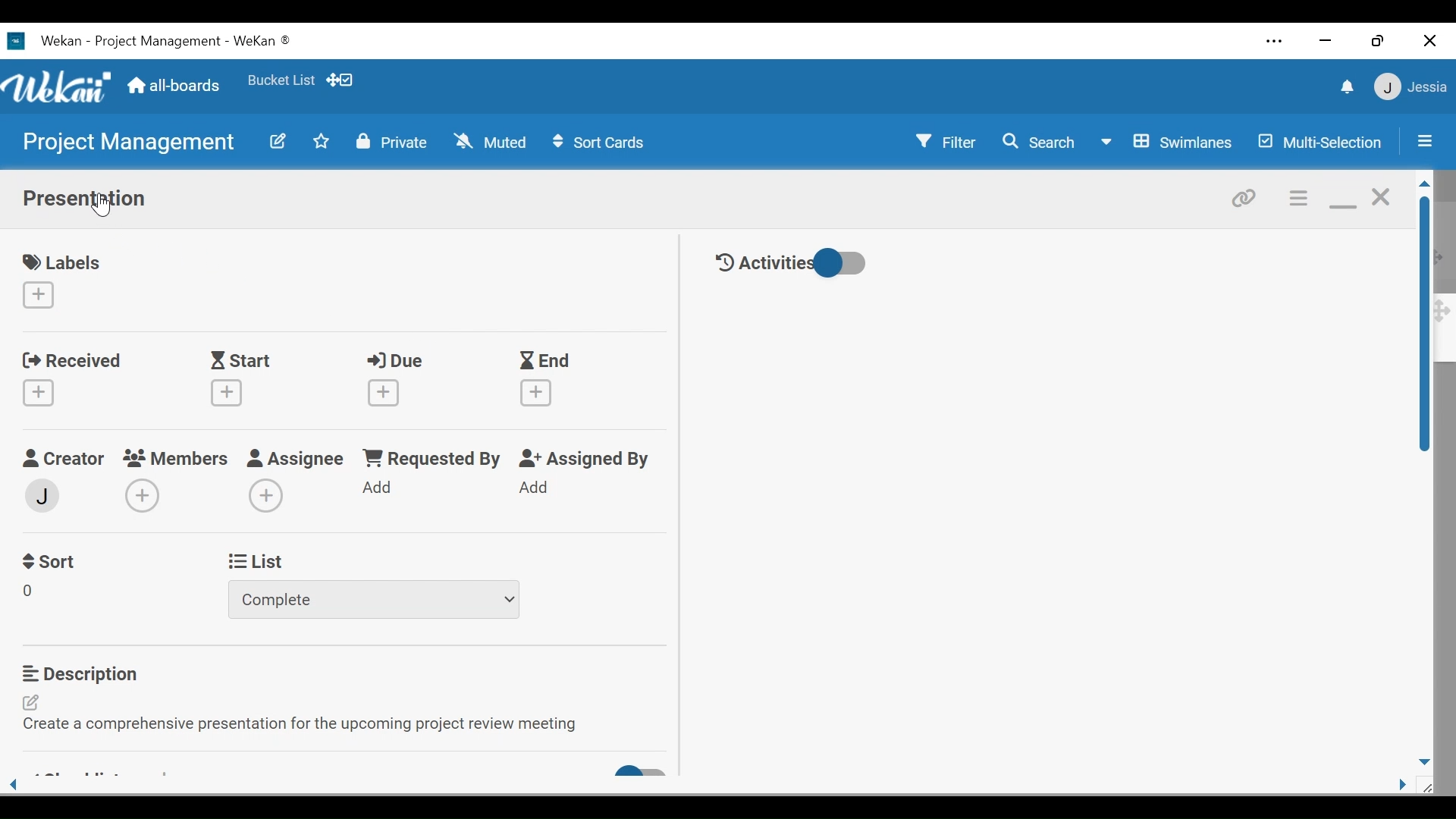 The width and height of the screenshot is (1456, 819). What do you see at coordinates (548, 362) in the screenshot?
I see `End Date` at bounding box center [548, 362].